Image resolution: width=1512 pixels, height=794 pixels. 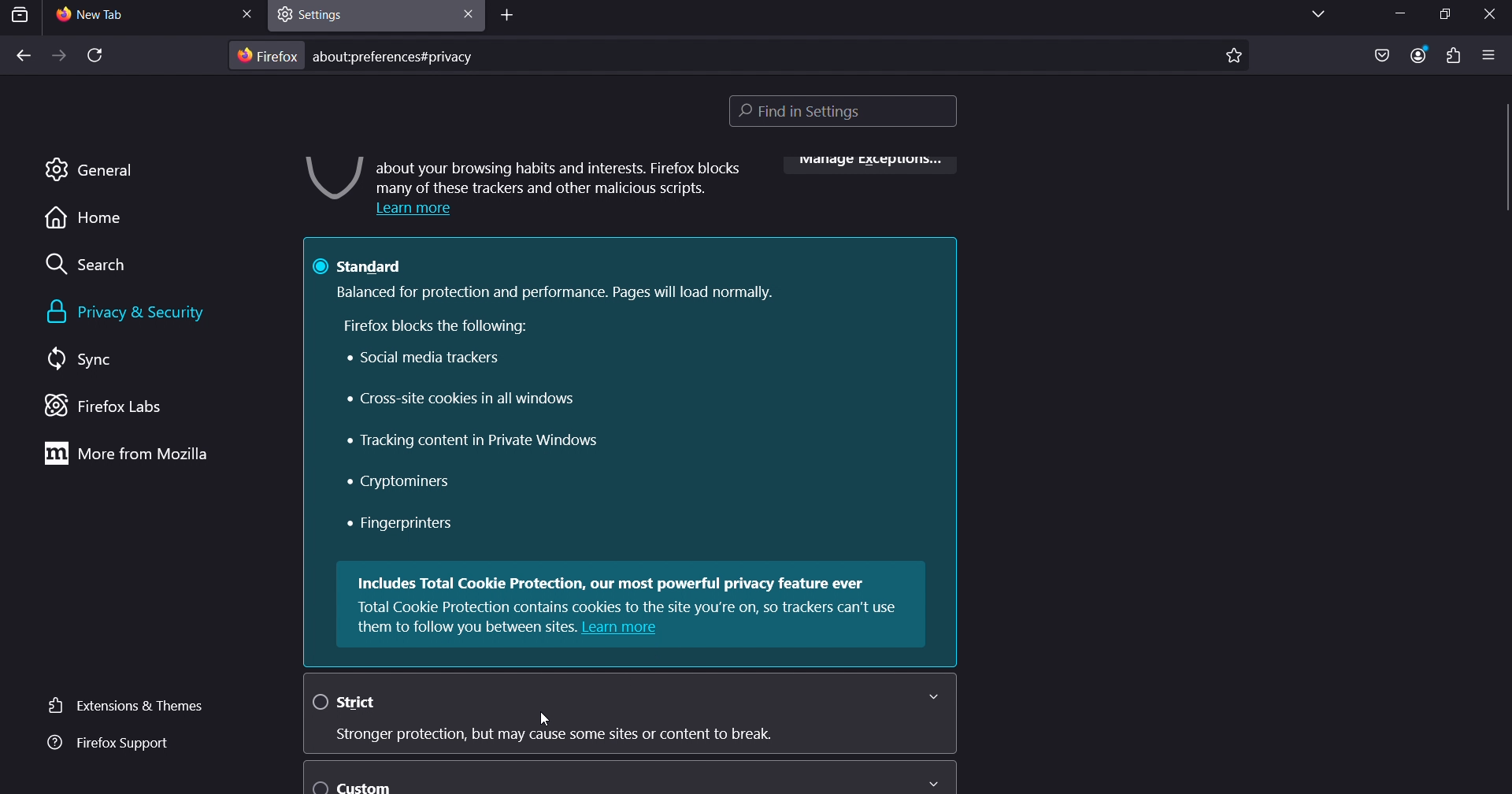 I want to click on back one page, so click(x=23, y=57).